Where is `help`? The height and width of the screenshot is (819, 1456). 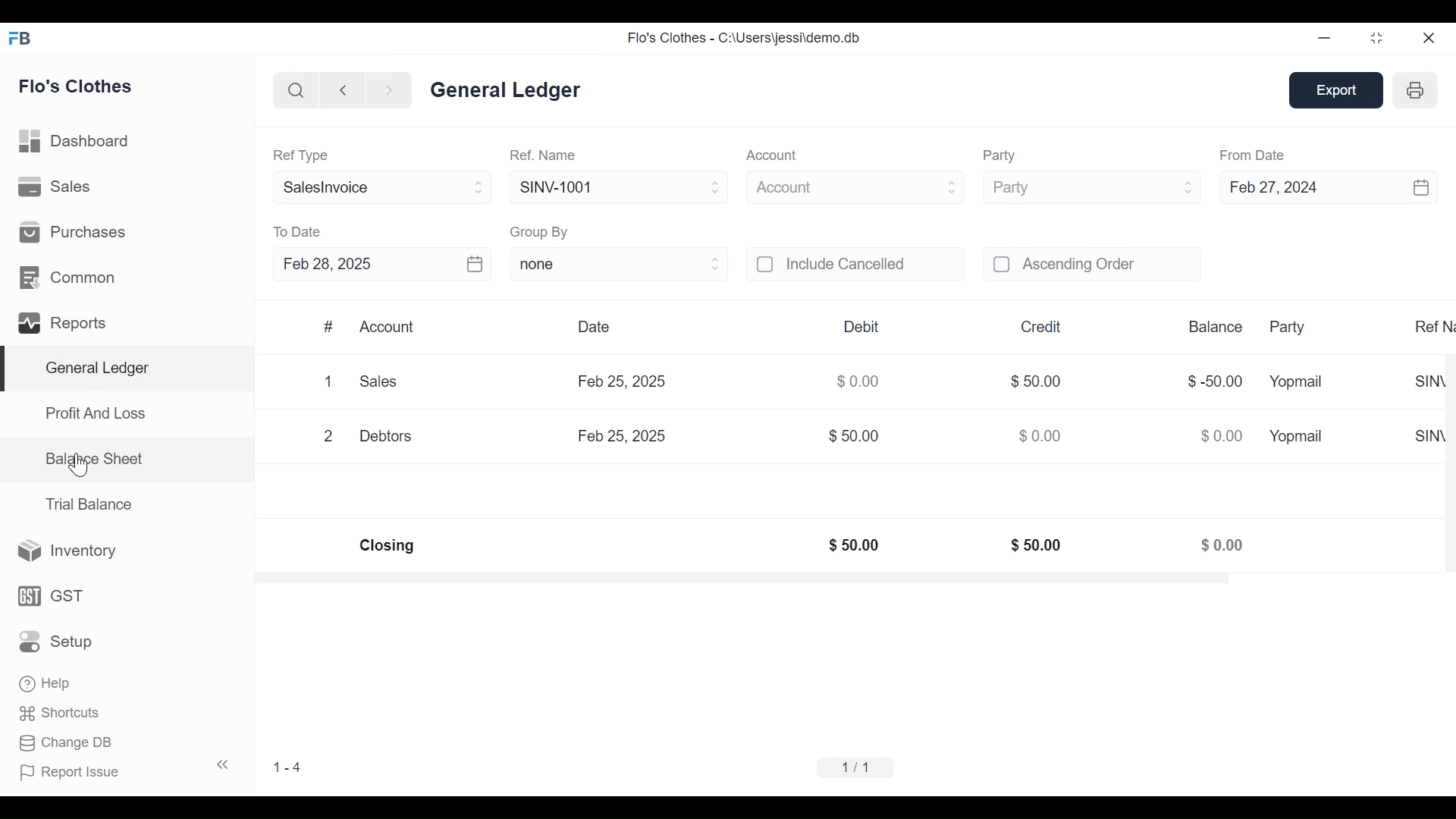 help is located at coordinates (44, 682).